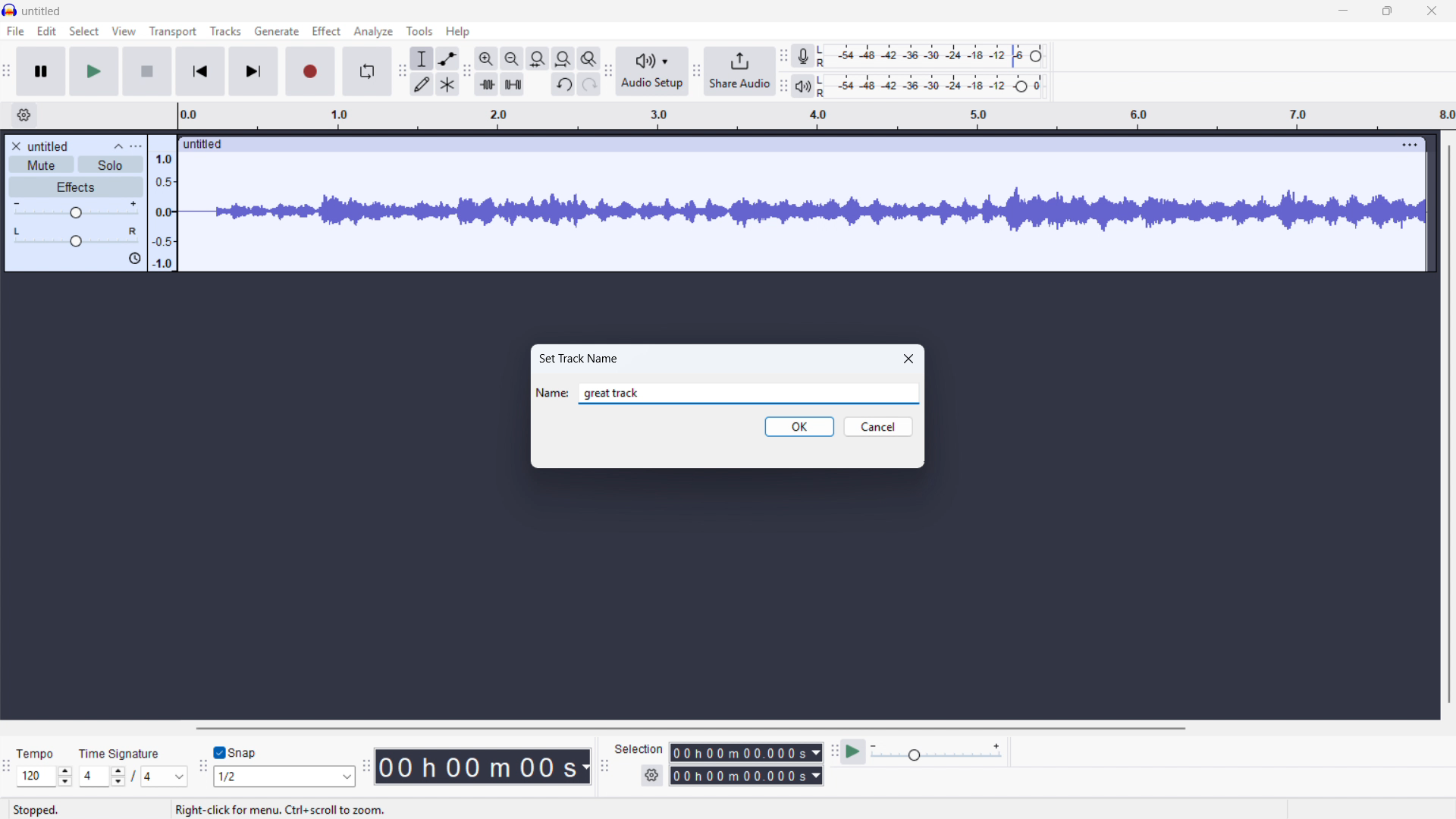 This screenshot has width=1456, height=819. What do you see at coordinates (909, 358) in the screenshot?
I see `Close` at bounding box center [909, 358].